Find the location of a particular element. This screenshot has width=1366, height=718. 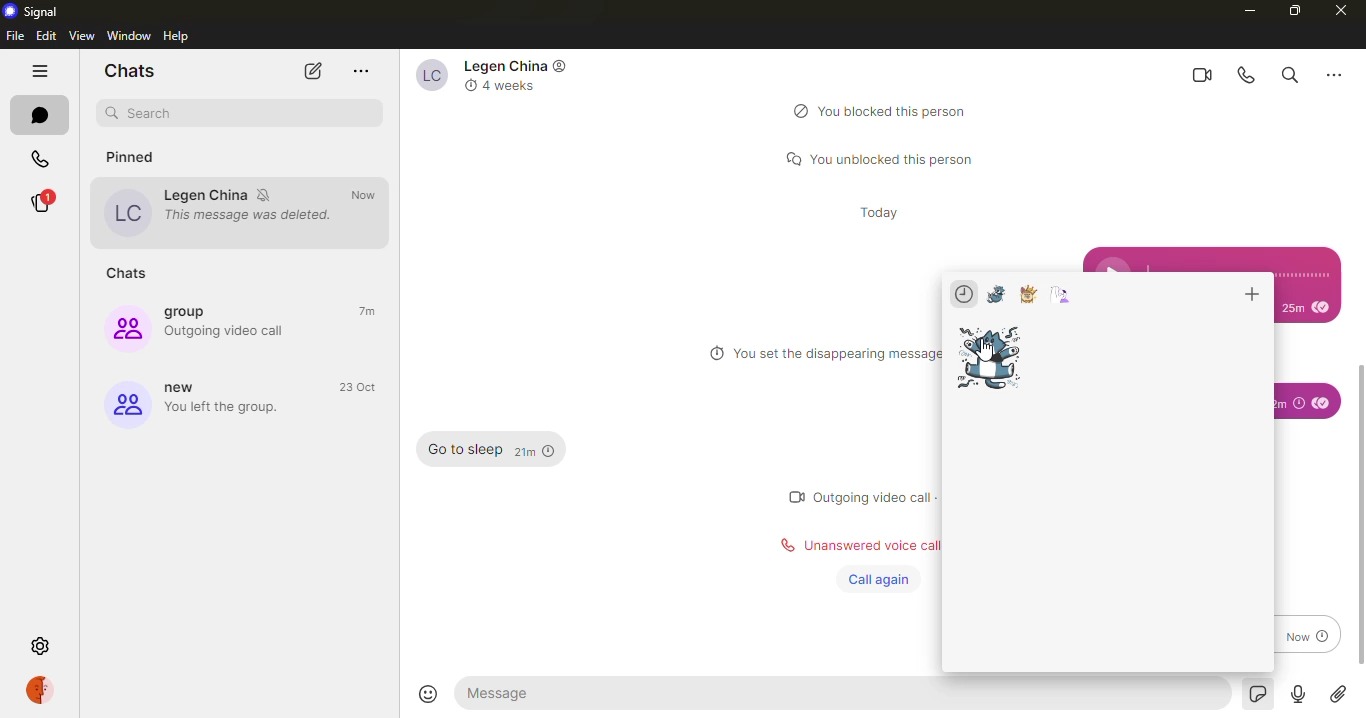

message is located at coordinates (465, 450).